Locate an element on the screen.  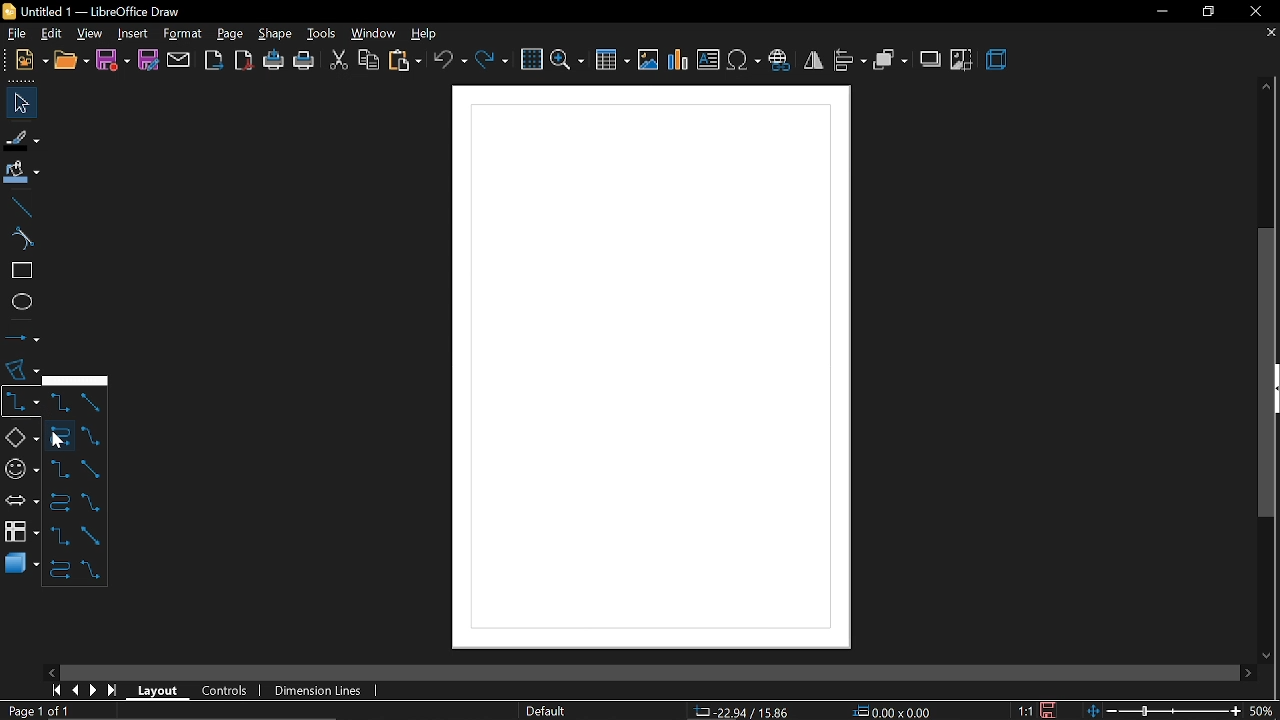
dimension lines is located at coordinates (321, 691).